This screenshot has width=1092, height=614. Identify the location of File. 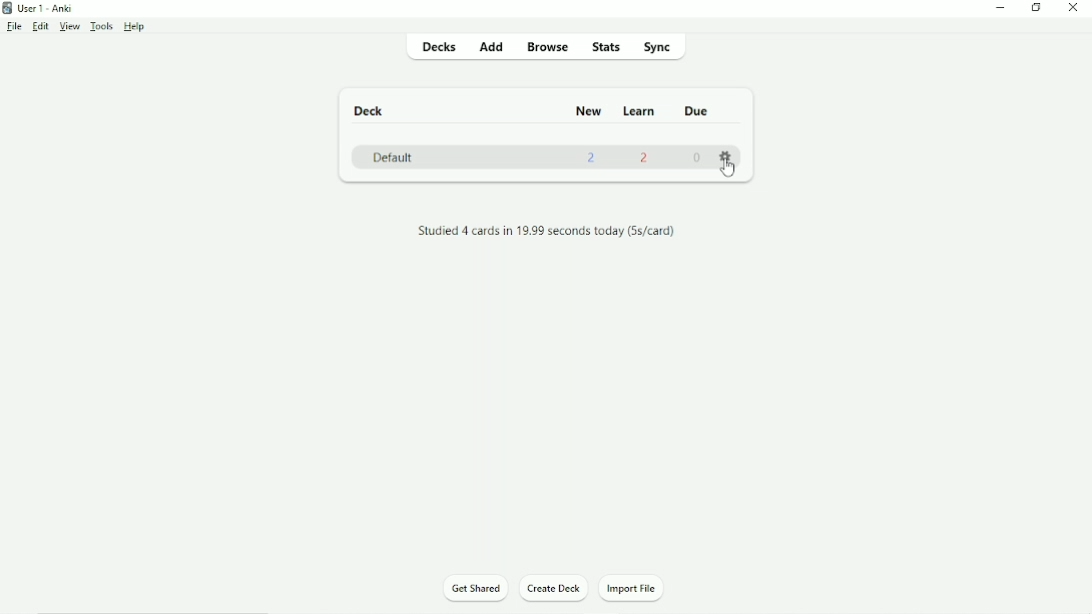
(14, 27).